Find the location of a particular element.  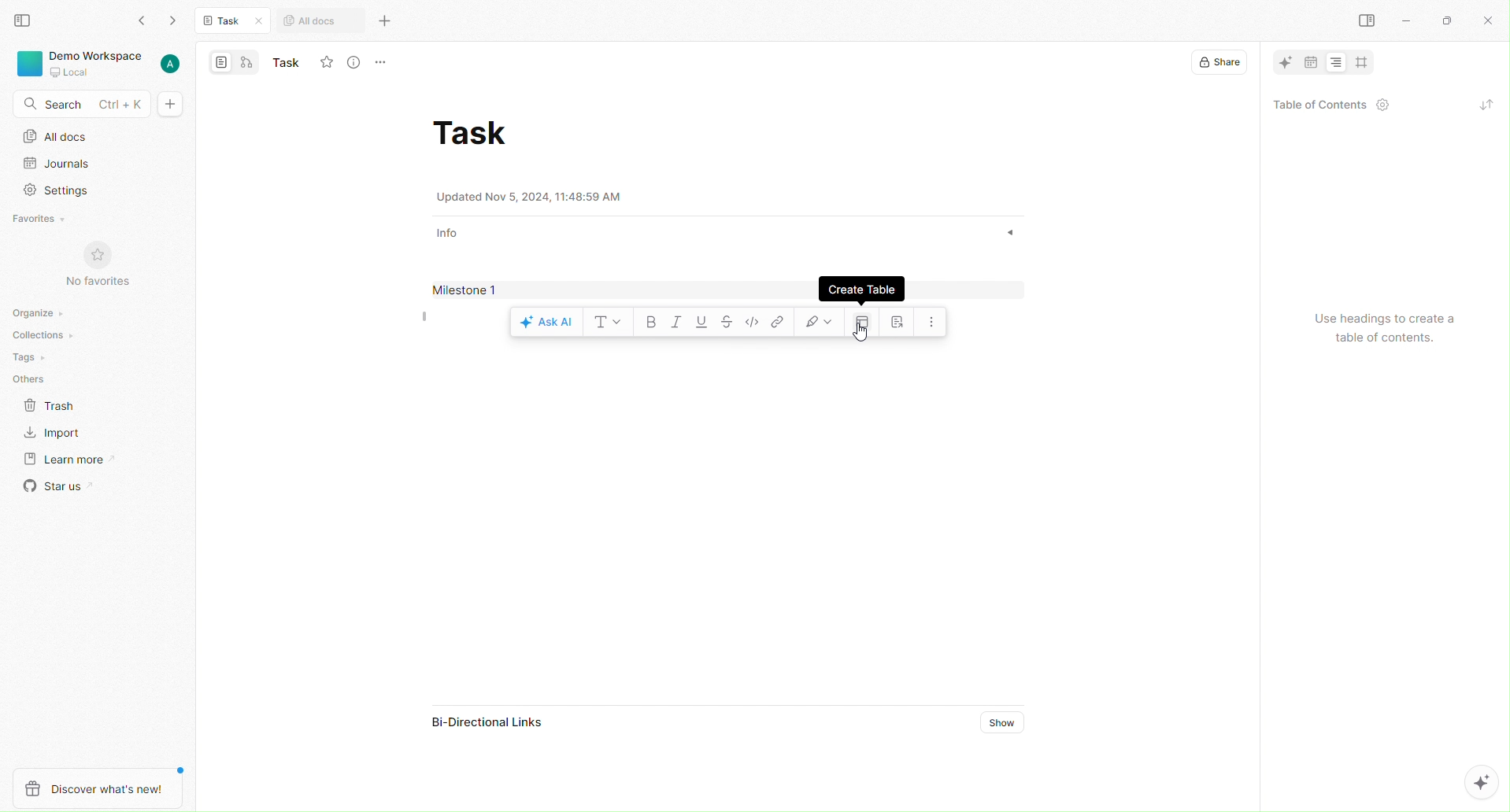

date is located at coordinates (1309, 61).